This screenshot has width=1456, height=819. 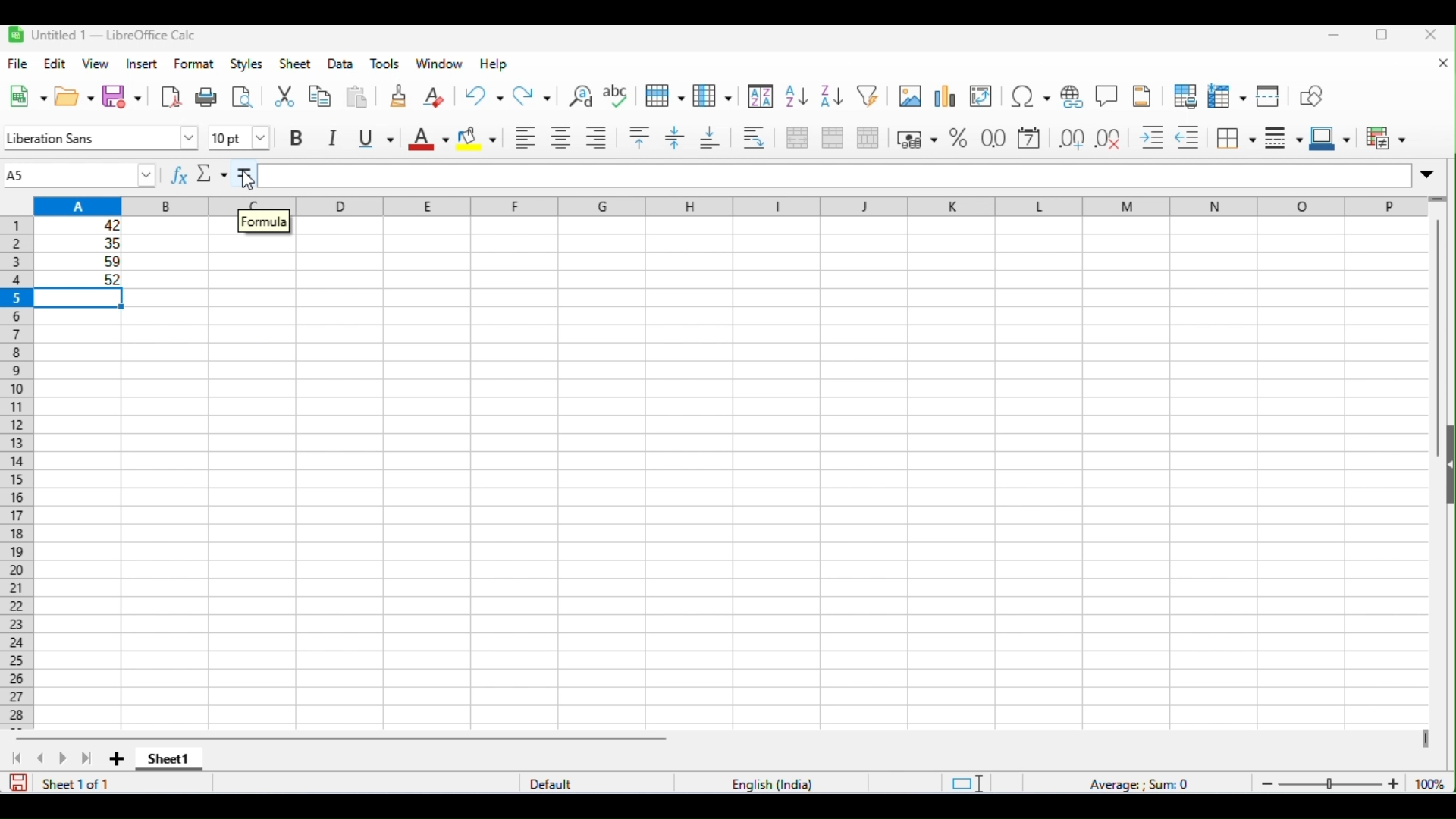 I want to click on next sheet, so click(x=64, y=758).